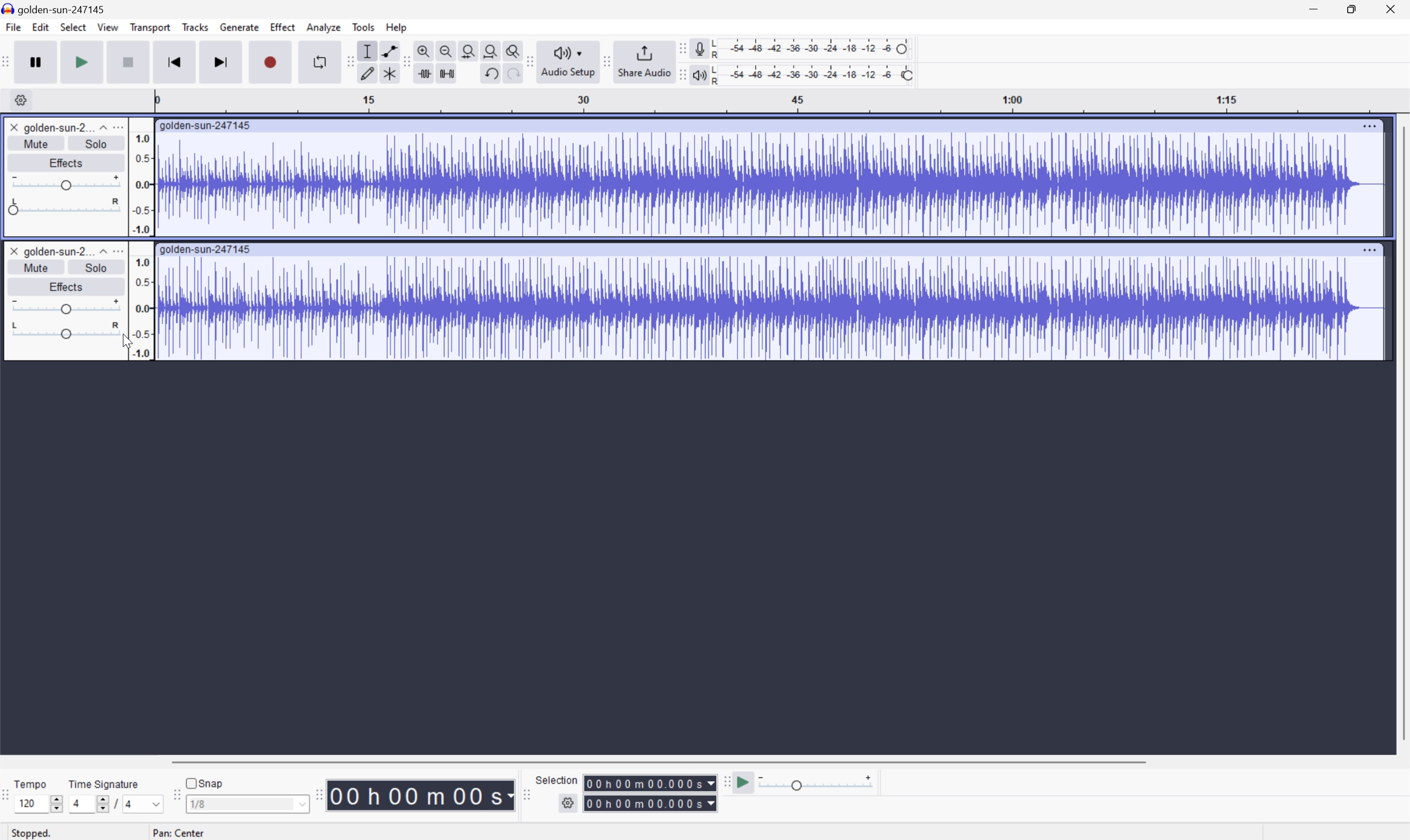  What do you see at coordinates (66, 331) in the screenshot?
I see `Slider` at bounding box center [66, 331].